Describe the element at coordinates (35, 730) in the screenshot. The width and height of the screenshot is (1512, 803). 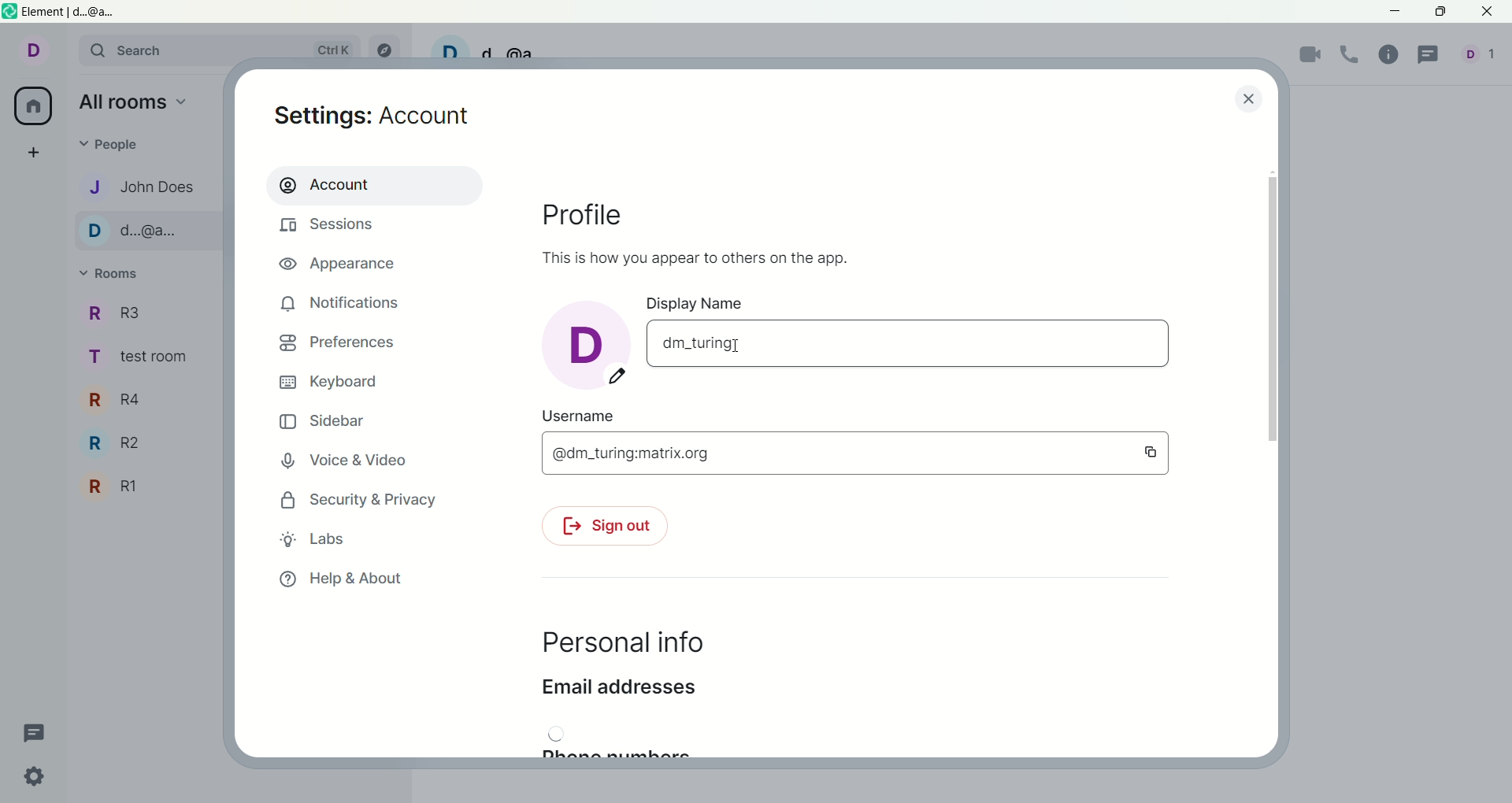
I see `threads` at that location.